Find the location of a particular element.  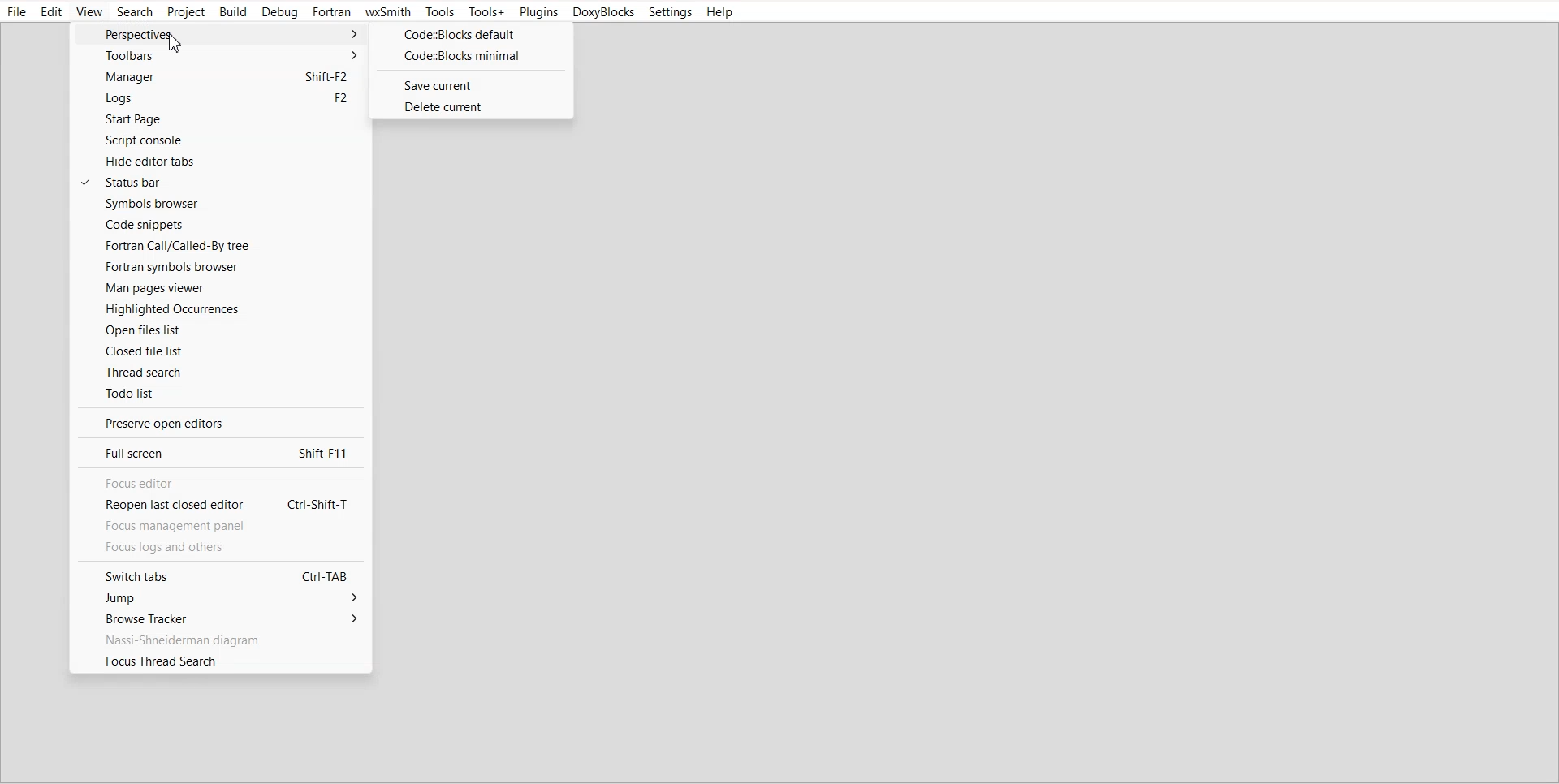

Status bar is located at coordinates (221, 182).